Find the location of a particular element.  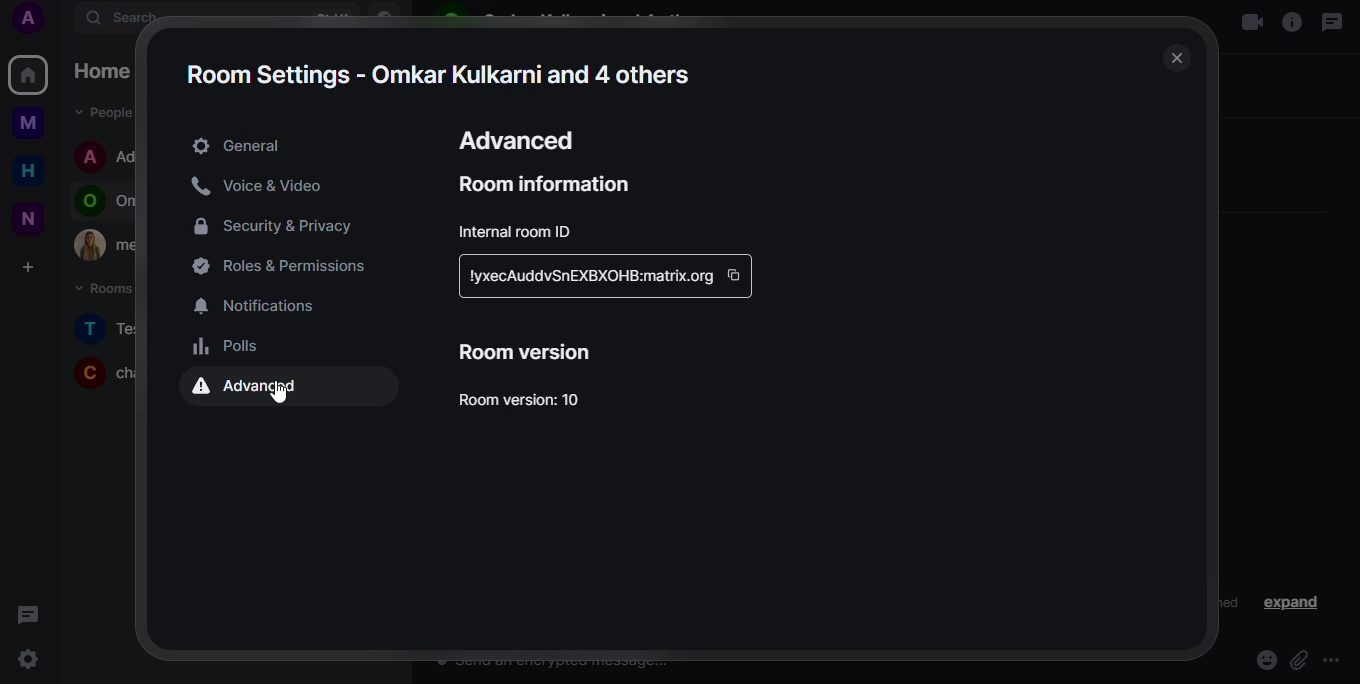

attach is located at coordinates (1299, 660).